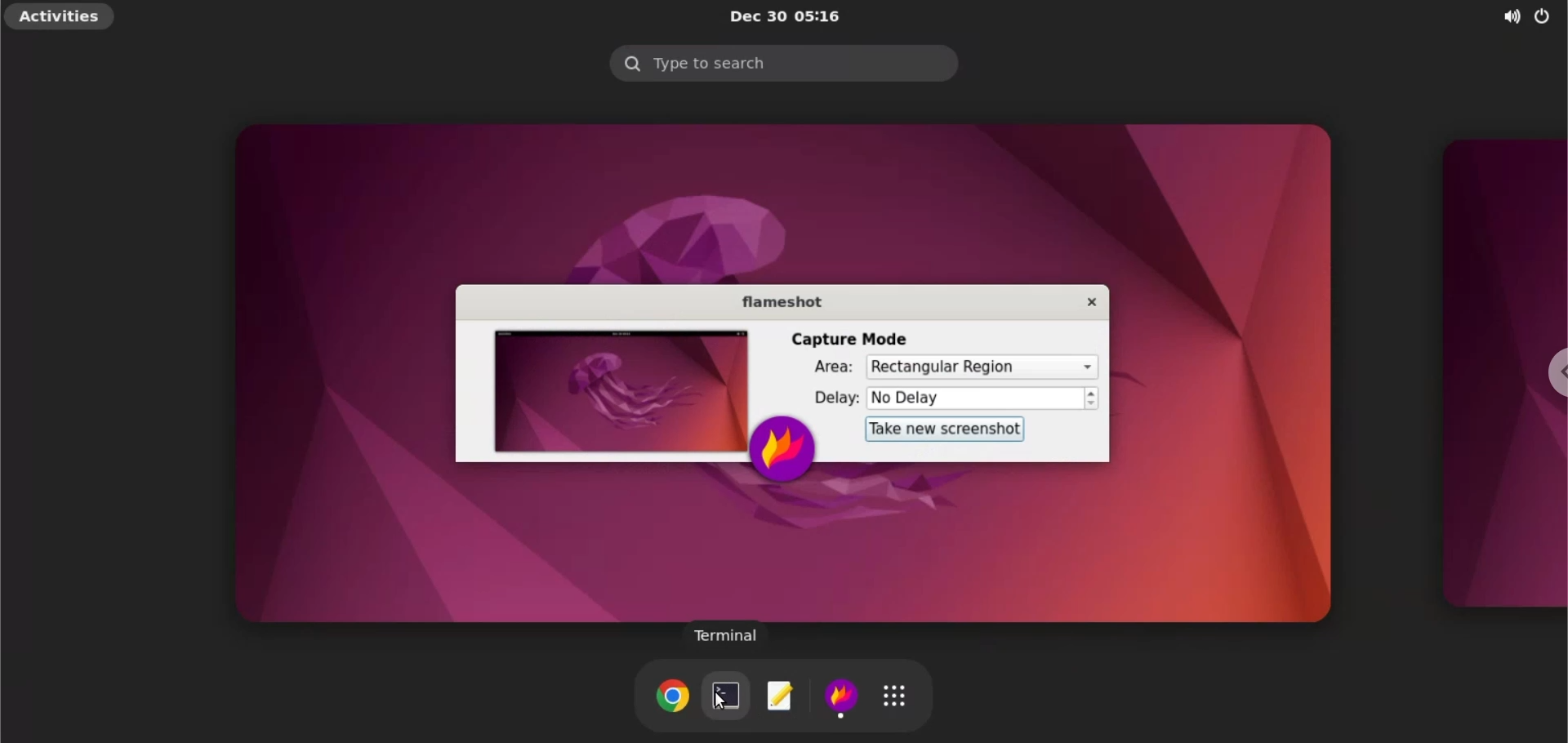 The height and width of the screenshot is (743, 1568). What do you see at coordinates (1496, 371) in the screenshot?
I see `activity window` at bounding box center [1496, 371].